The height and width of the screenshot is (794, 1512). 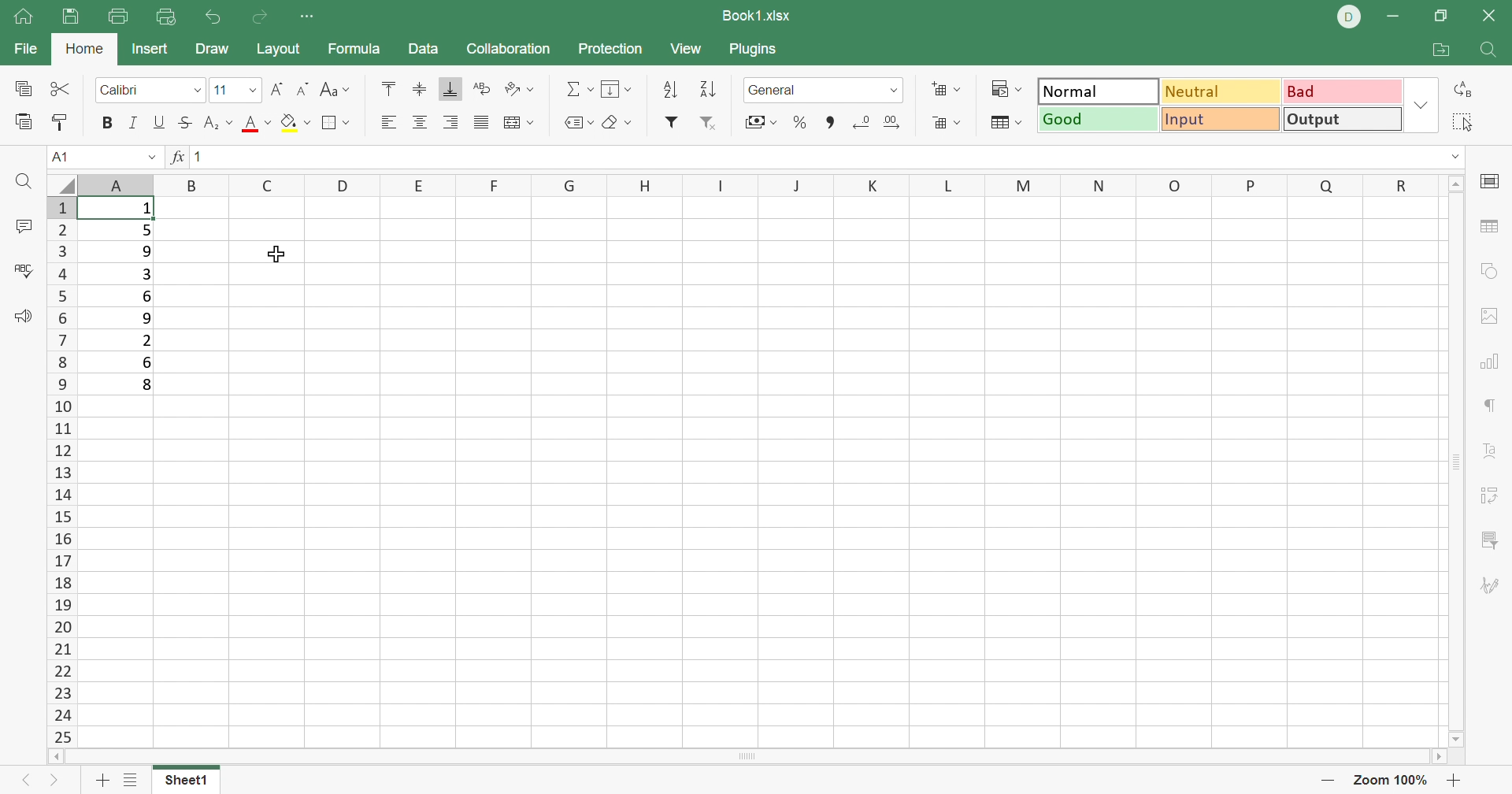 What do you see at coordinates (334, 122) in the screenshot?
I see `Borders` at bounding box center [334, 122].